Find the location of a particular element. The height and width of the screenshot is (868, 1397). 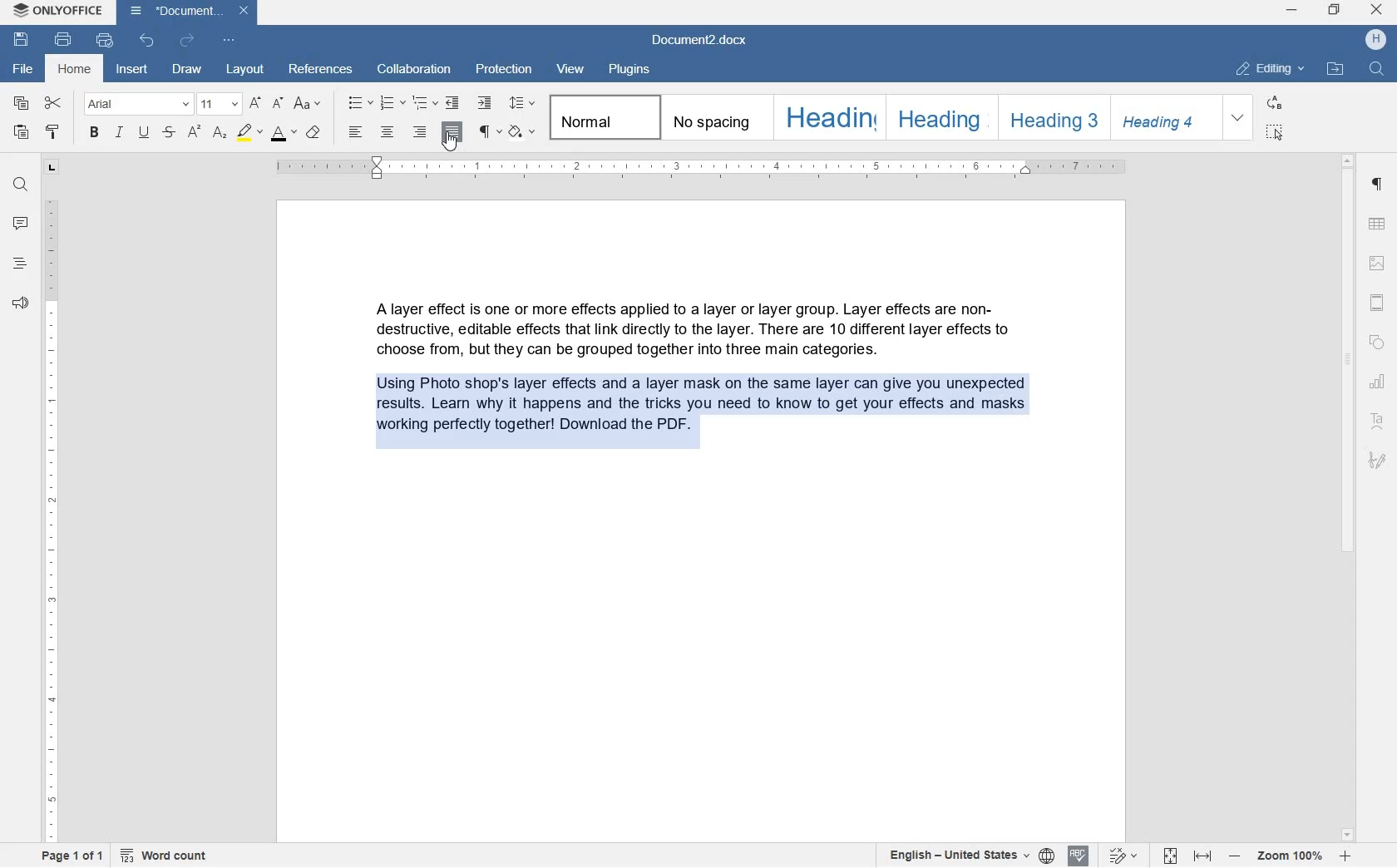

MULTILEVEL LIST is located at coordinates (423, 102).